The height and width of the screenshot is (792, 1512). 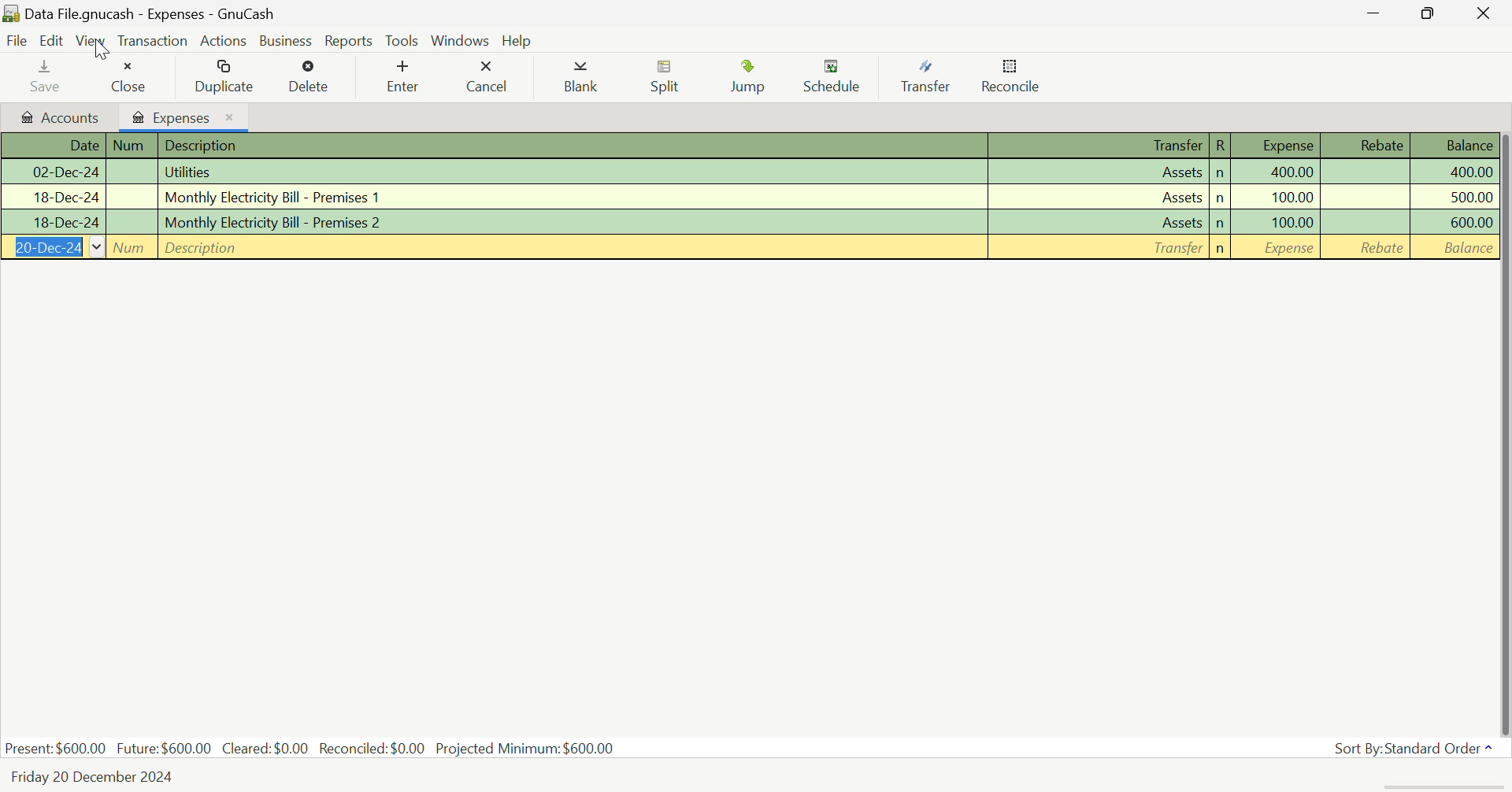 I want to click on Delete, so click(x=315, y=76).